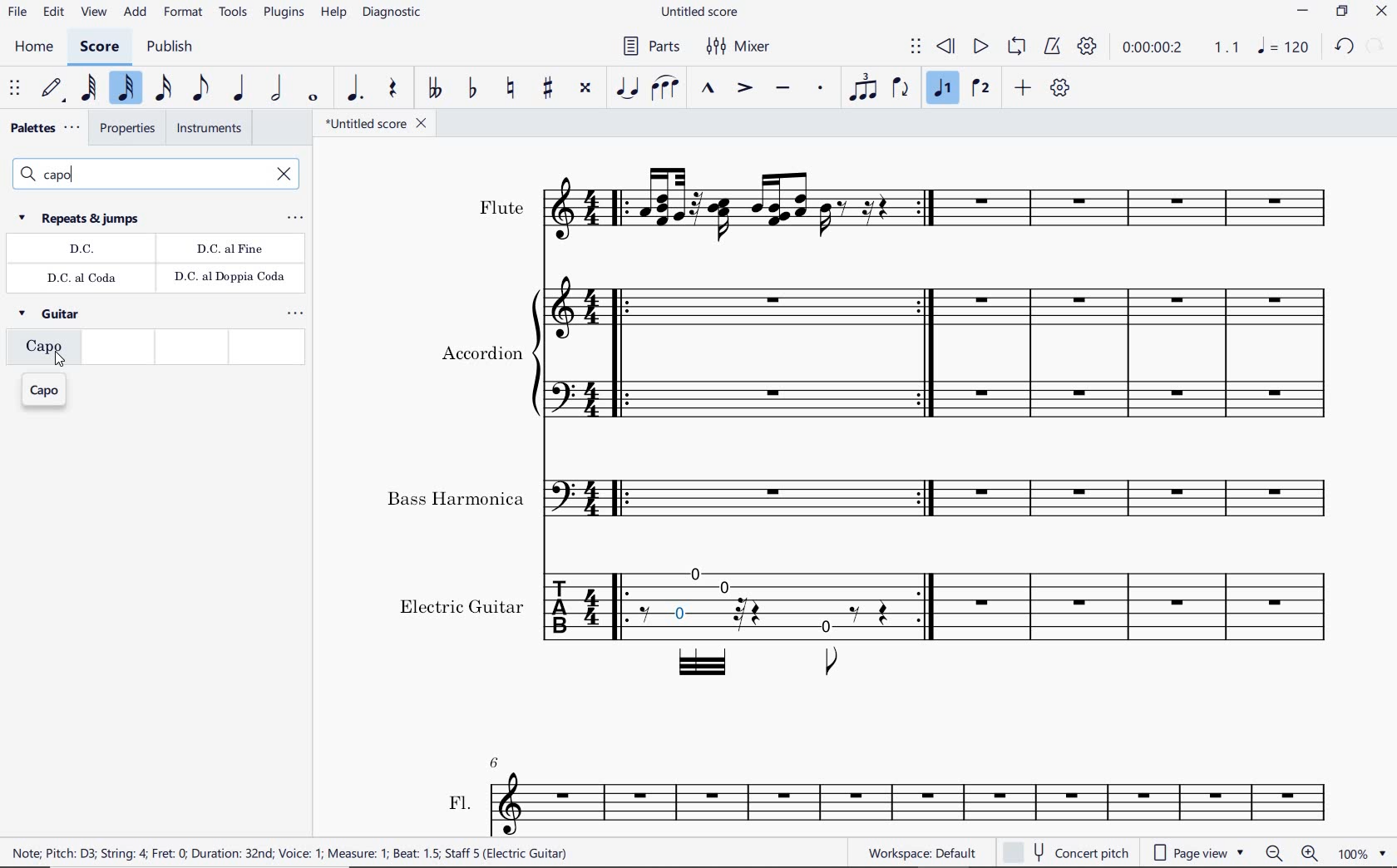 Image resolution: width=1397 pixels, height=868 pixels. What do you see at coordinates (208, 131) in the screenshot?
I see `instruments` at bounding box center [208, 131].